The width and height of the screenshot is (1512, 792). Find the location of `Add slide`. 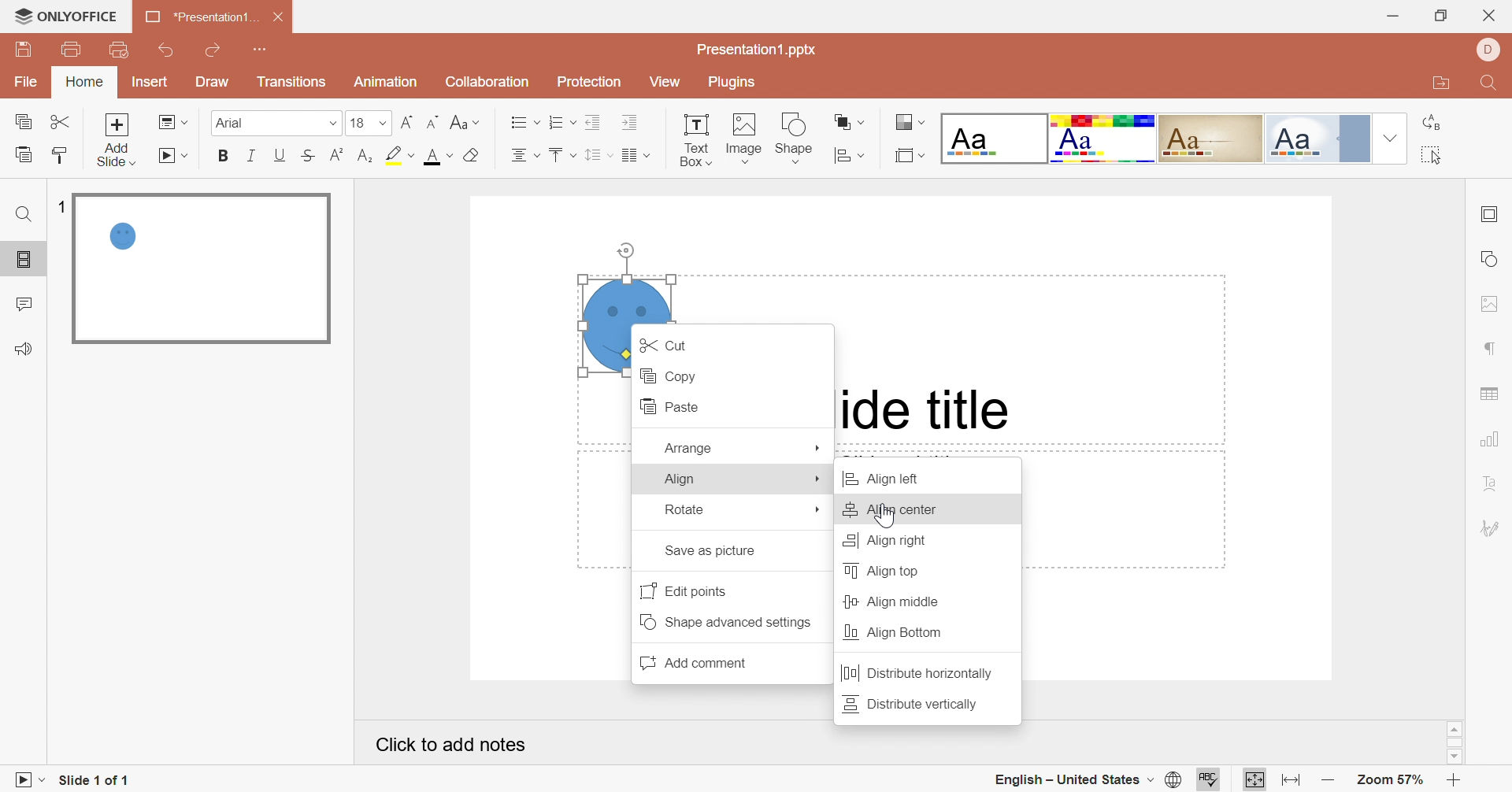

Add slide is located at coordinates (117, 124).